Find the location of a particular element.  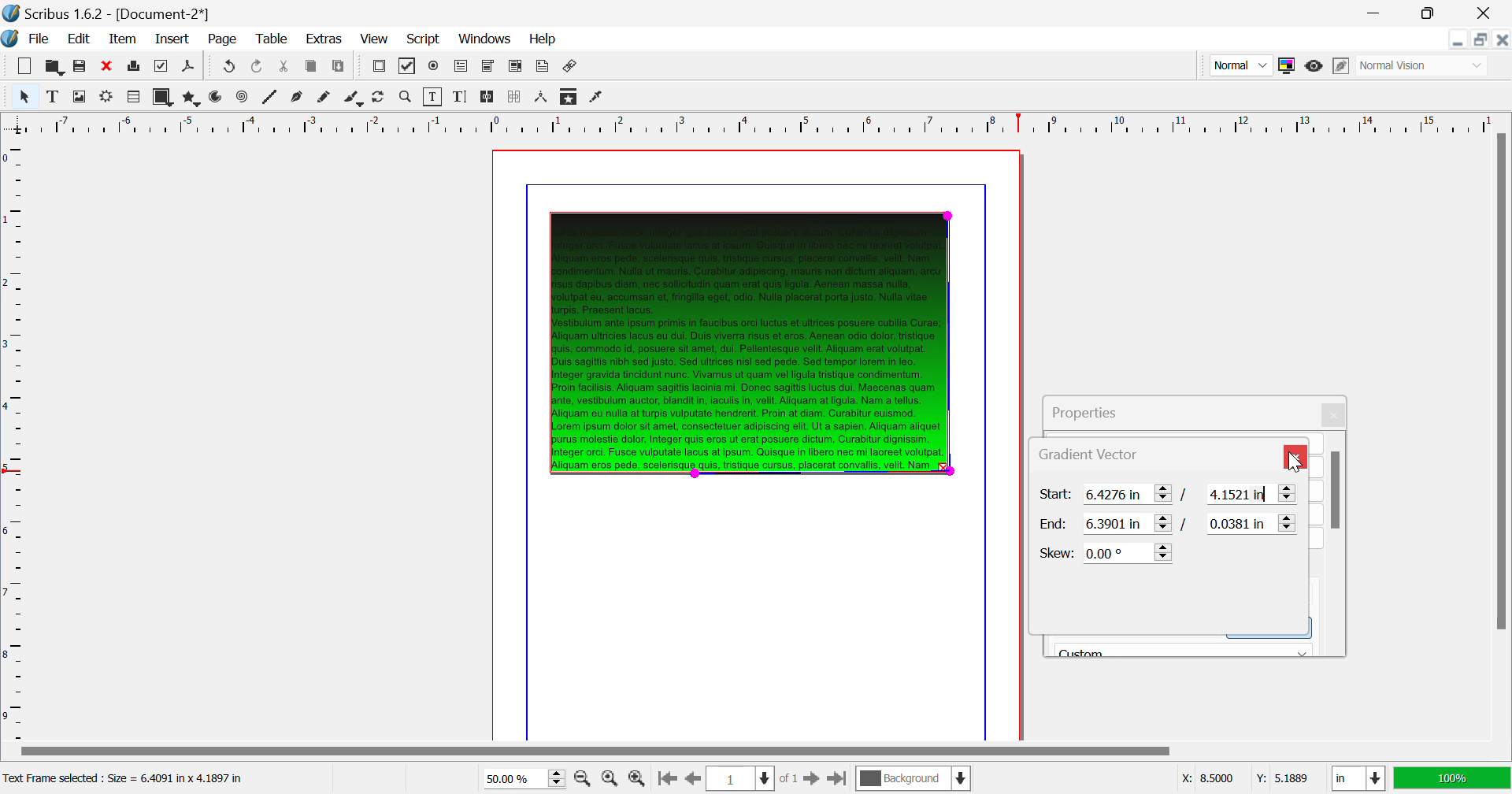

Previous Page is located at coordinates (691, 779).